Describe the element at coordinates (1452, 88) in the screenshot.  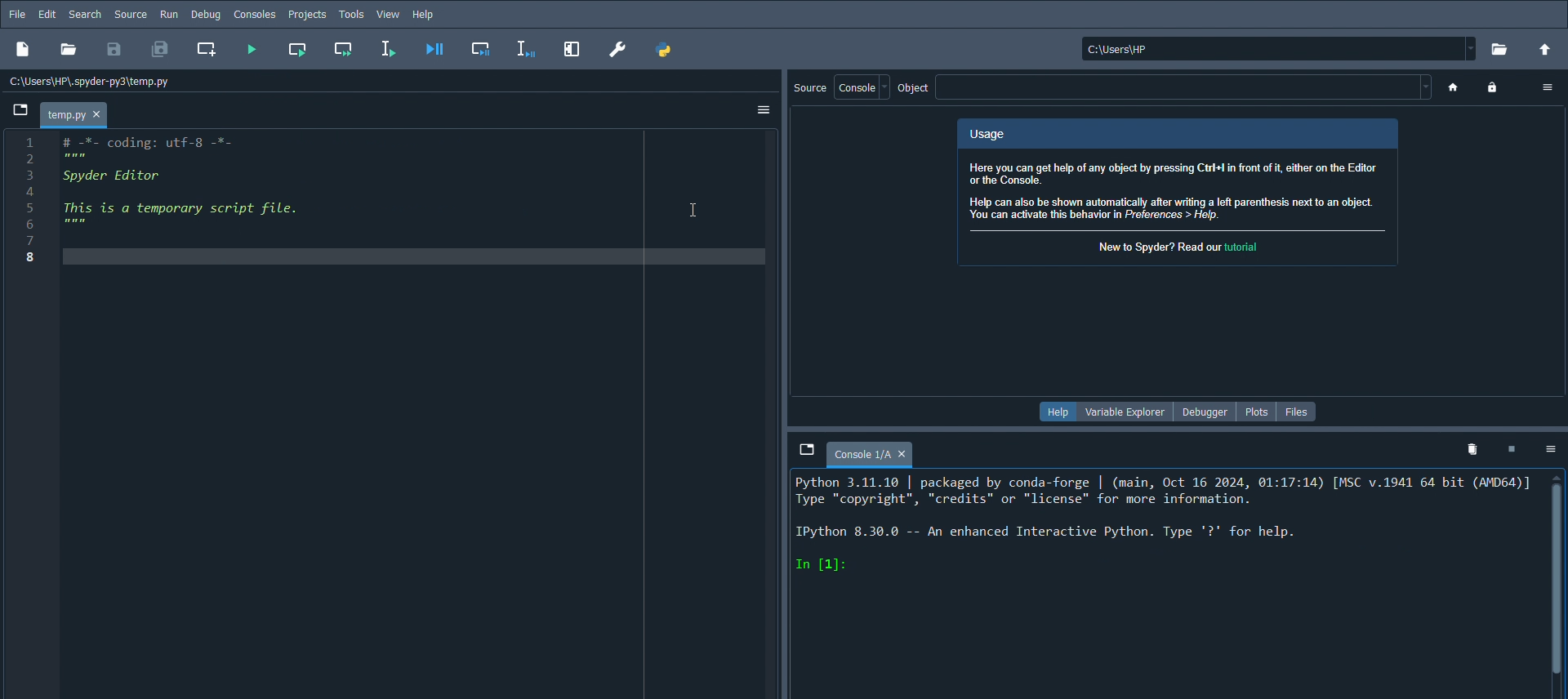
I see `Home` at that location.